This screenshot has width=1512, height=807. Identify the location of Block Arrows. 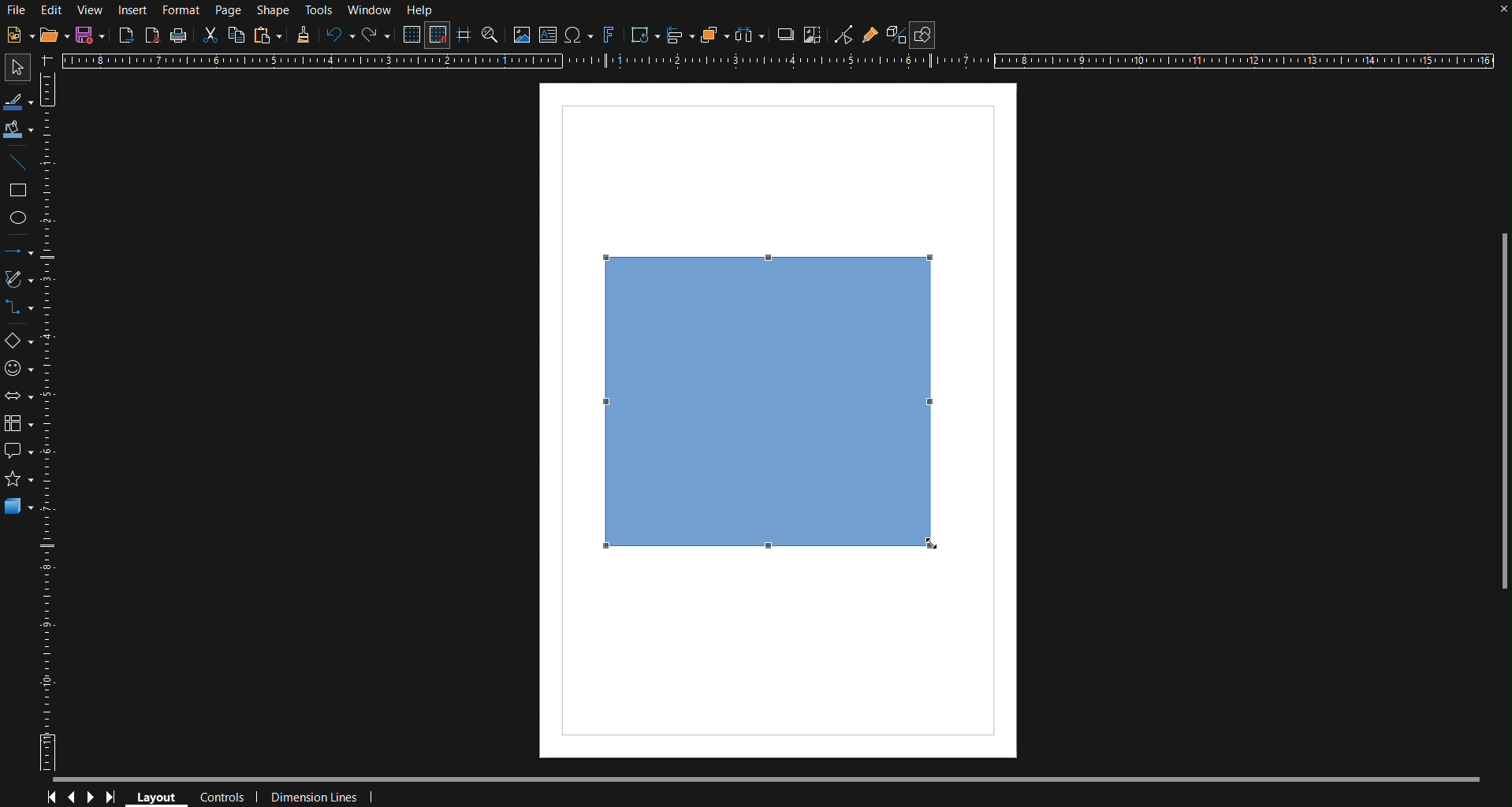
(19, 398).